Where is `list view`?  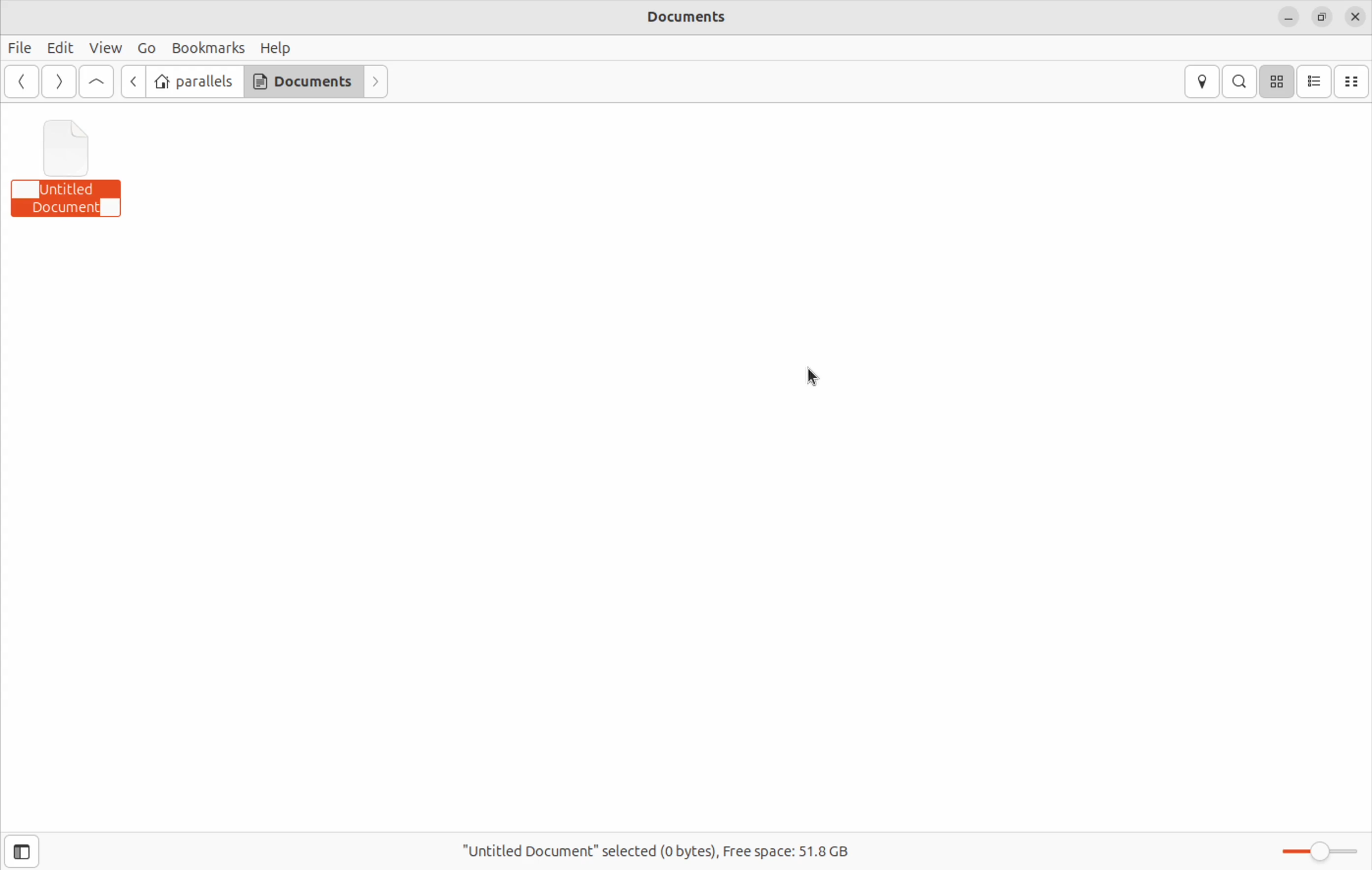
list view is located at coordinates (1315, 81).